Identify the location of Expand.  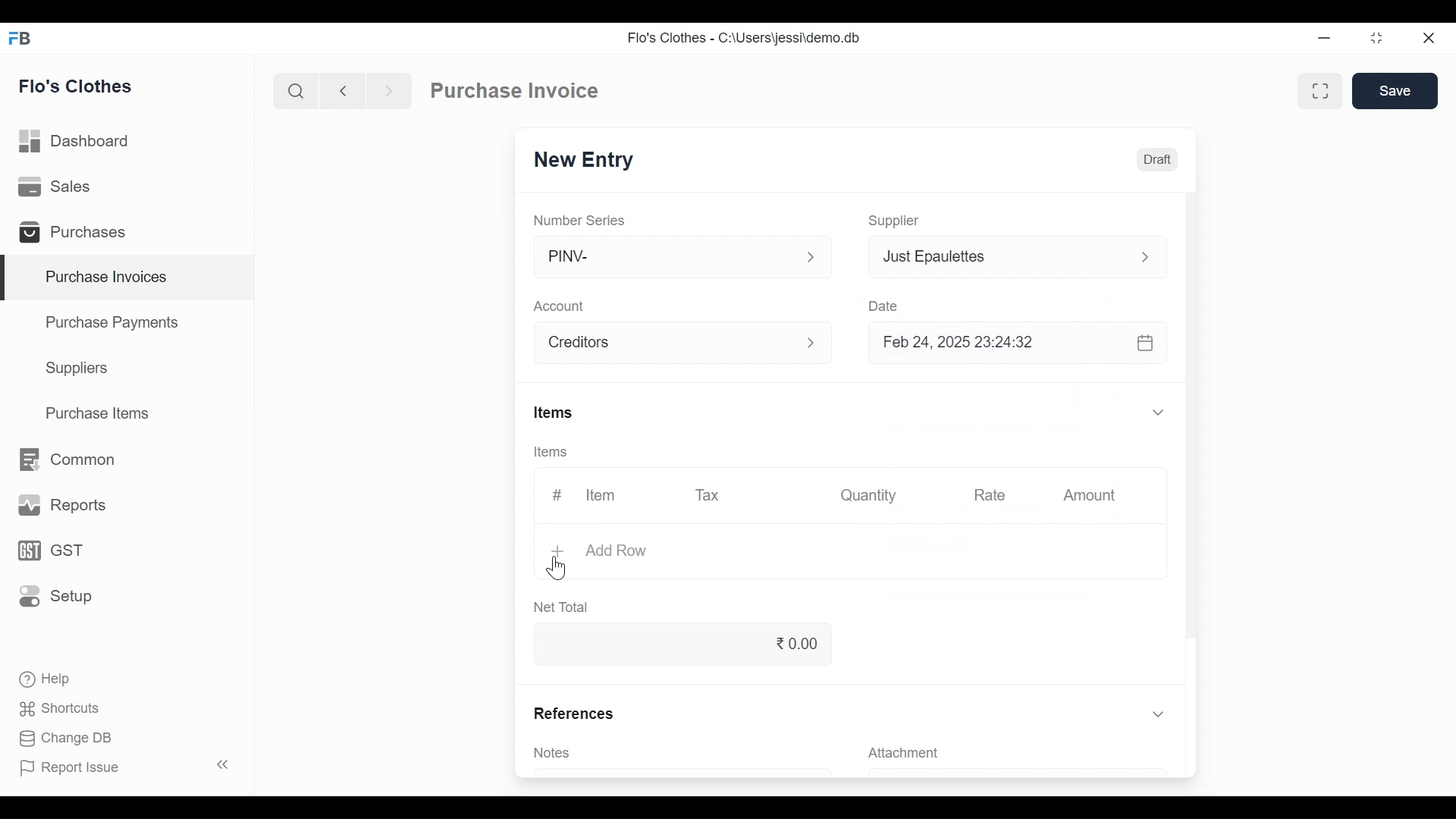
(1158, 714).